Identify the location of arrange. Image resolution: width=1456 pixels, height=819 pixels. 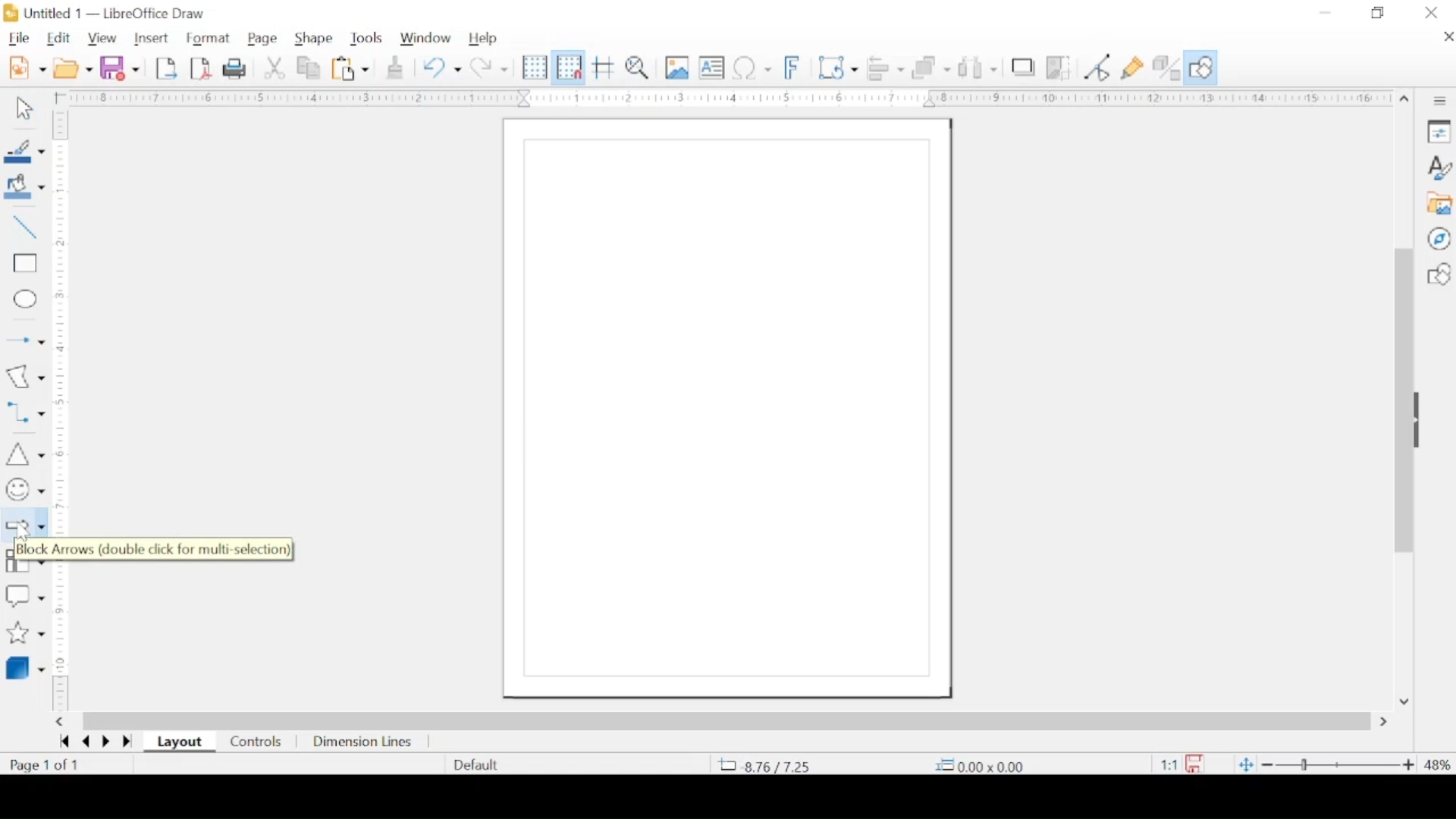
(933, 66).